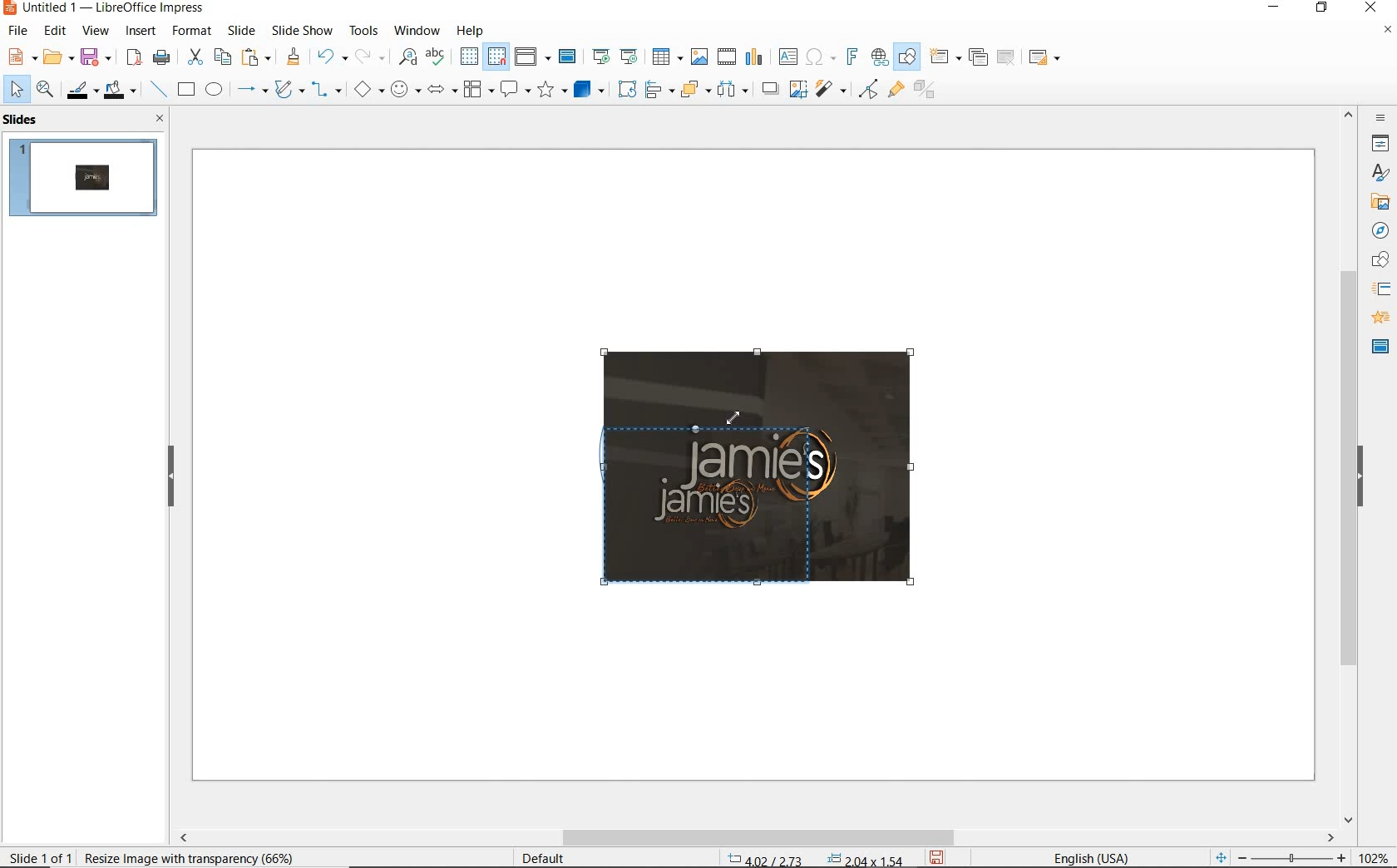 This screenshot has height=868, width=1397. Describe the element at coordinates (754, 57) in the screenshot. I see `insert chart` at that location.